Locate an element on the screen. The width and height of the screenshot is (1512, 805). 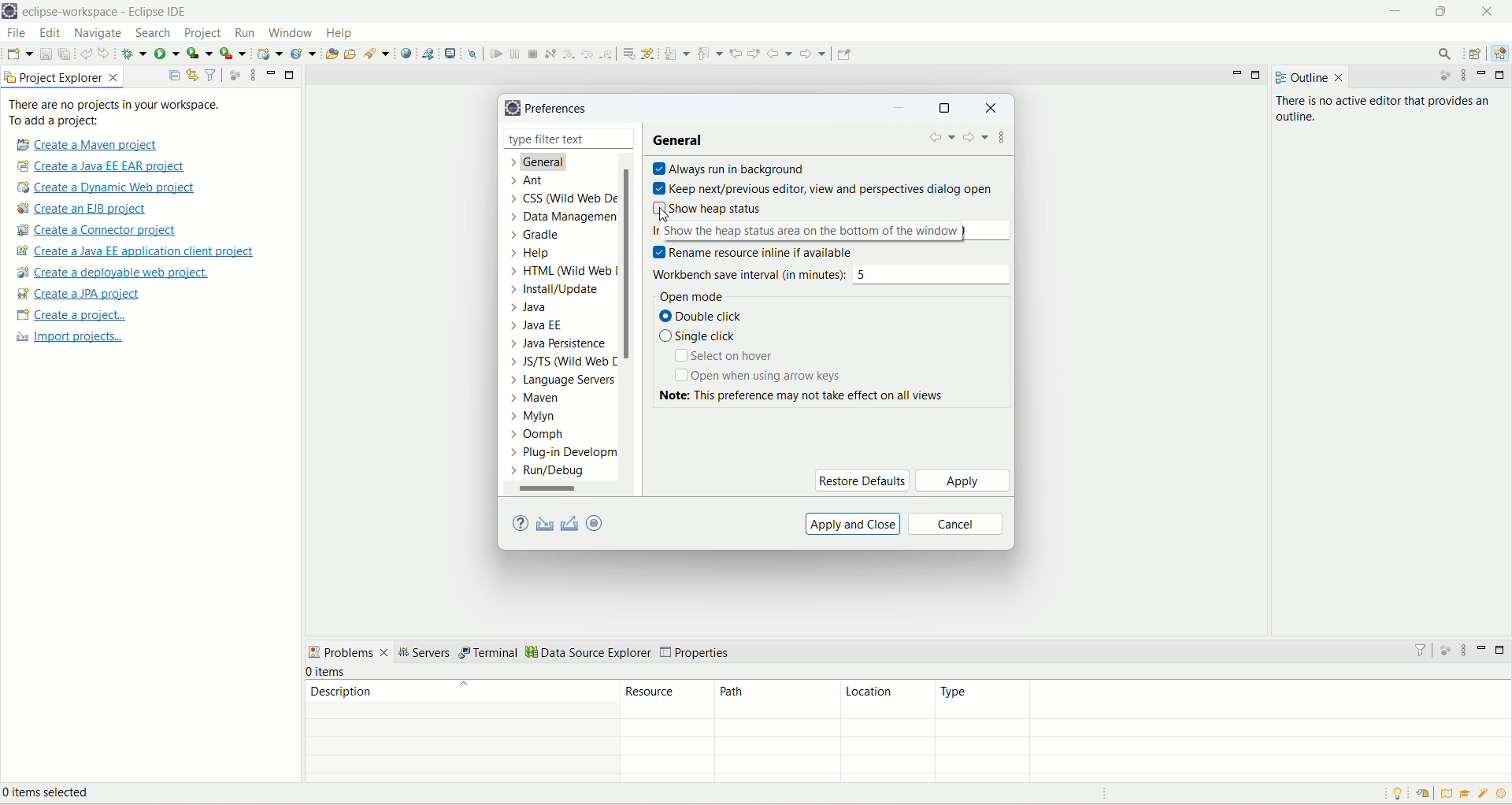
plug-in development is located at coordinates (564, 453).